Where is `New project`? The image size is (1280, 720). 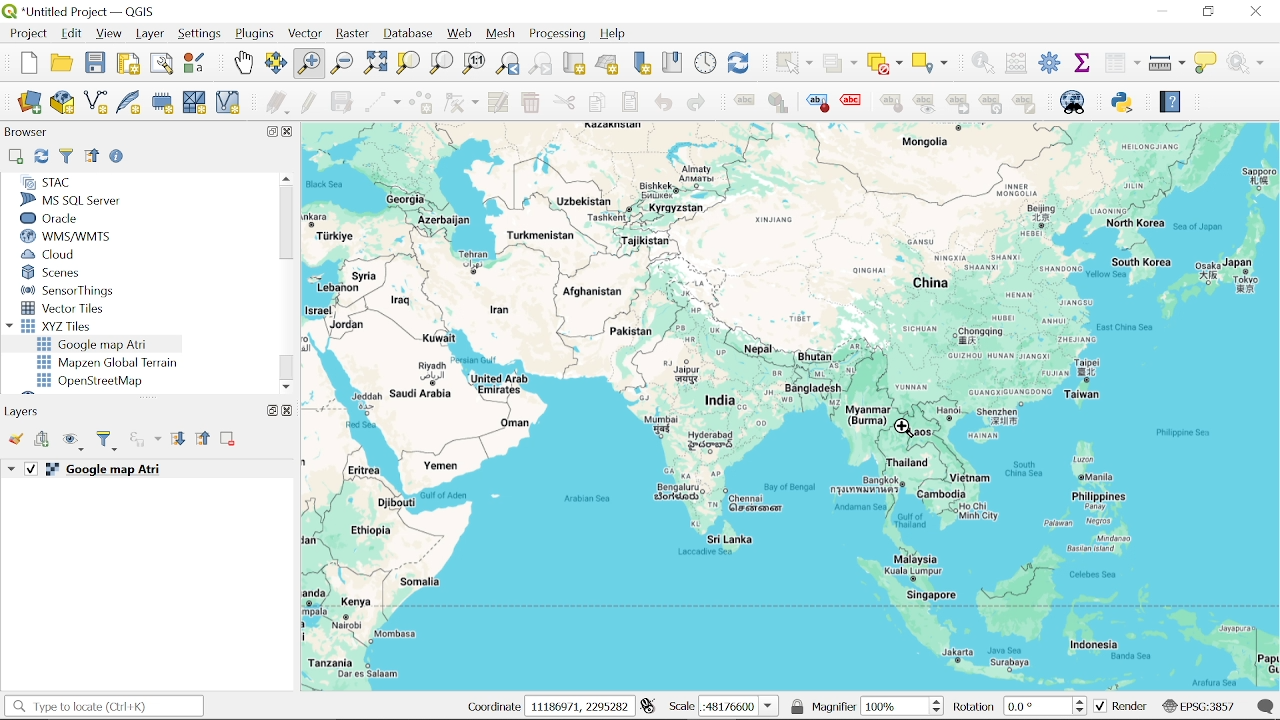
New project is located at coordinates (30, 63).